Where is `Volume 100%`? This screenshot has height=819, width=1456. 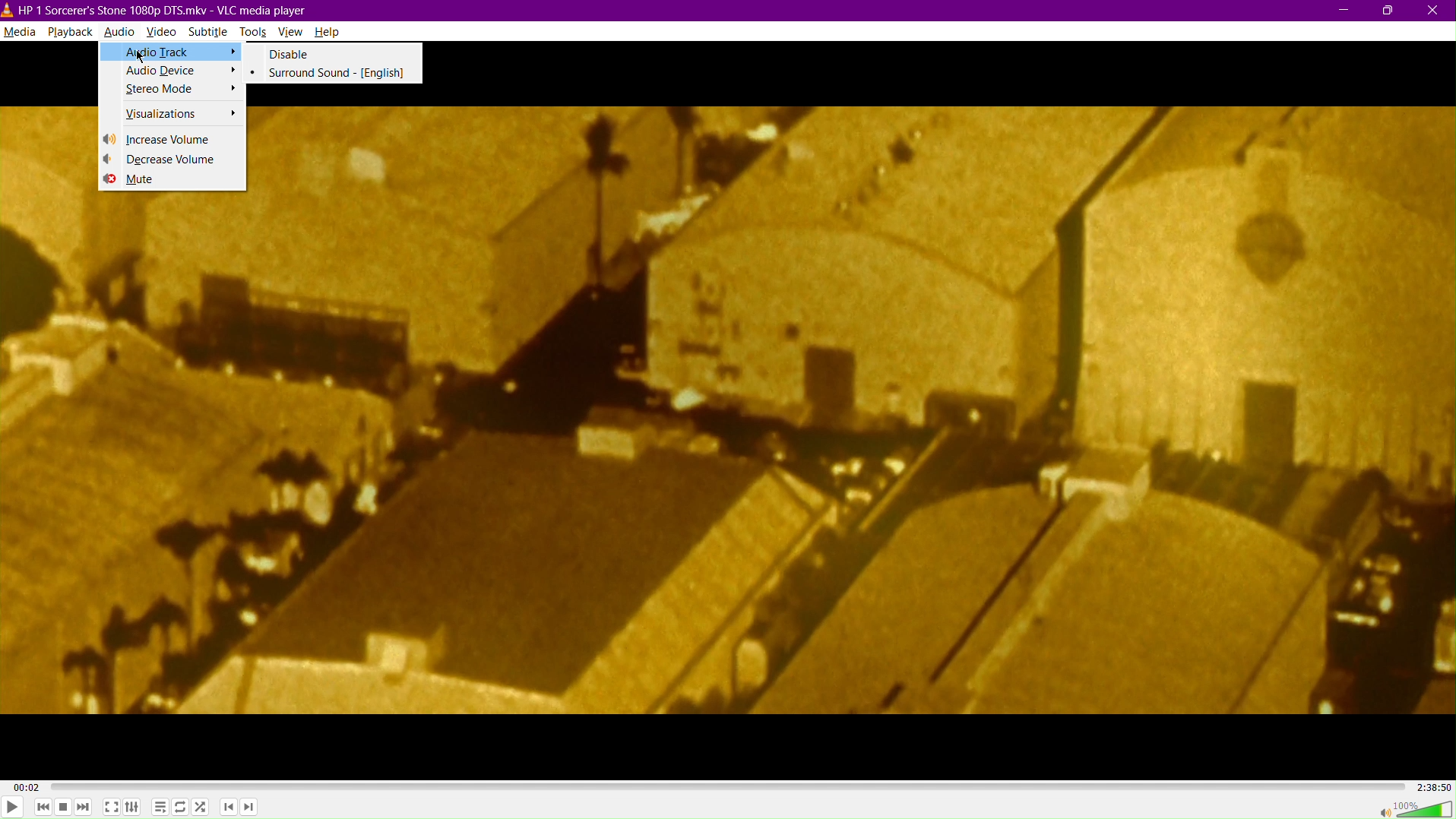
Volume 100% is located at coordinates (1410, 808).